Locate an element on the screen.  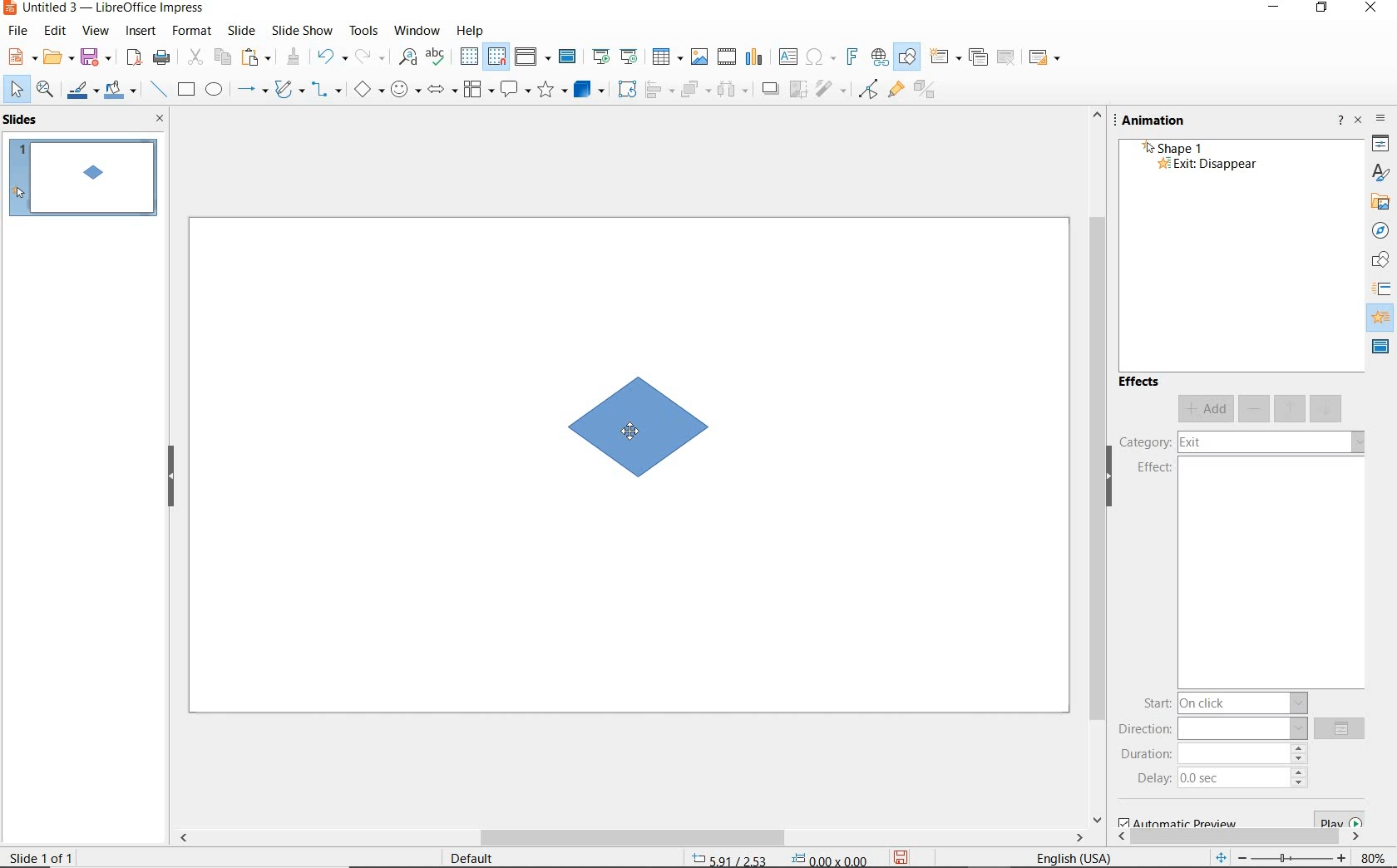
help is located at coordinates (471, 31).